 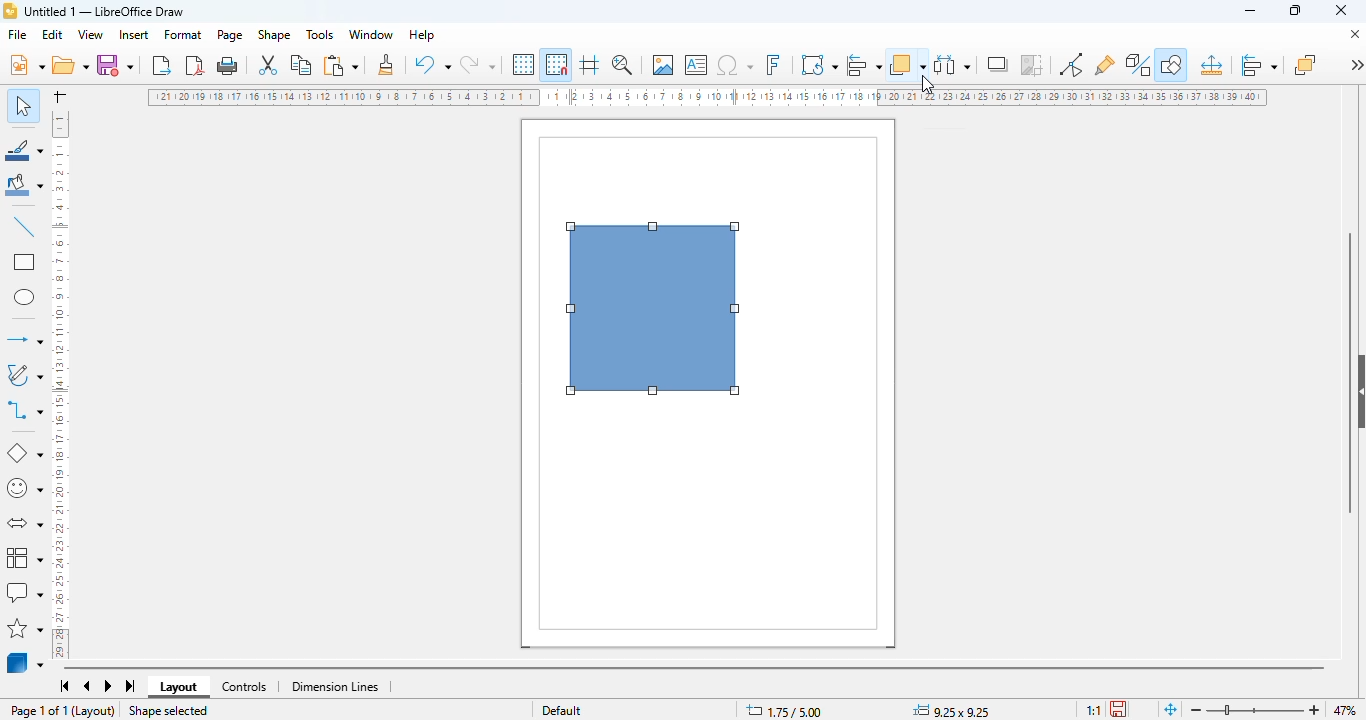 What do you see at coordinates (423, 35) in the screenshot?
I see `help` at bounding box center [423, 35].